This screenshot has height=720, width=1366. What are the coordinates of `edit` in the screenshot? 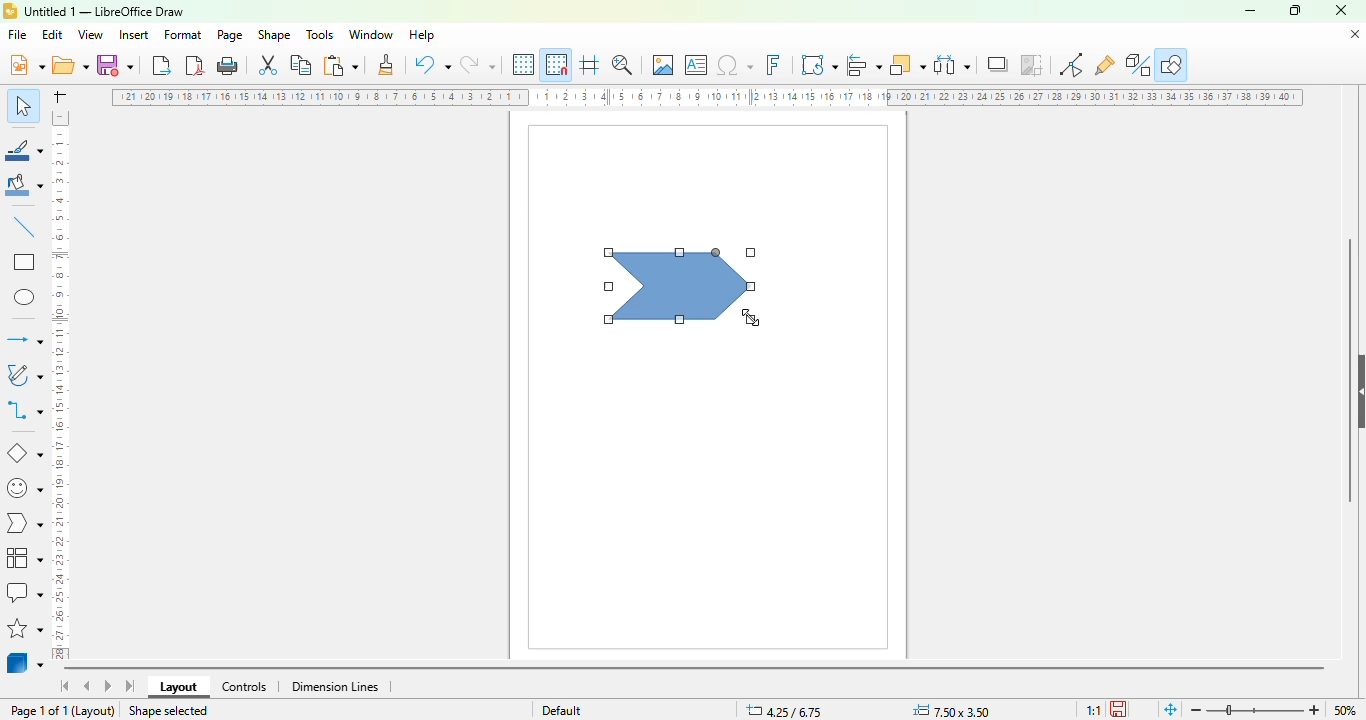 It's located at (52, 35).